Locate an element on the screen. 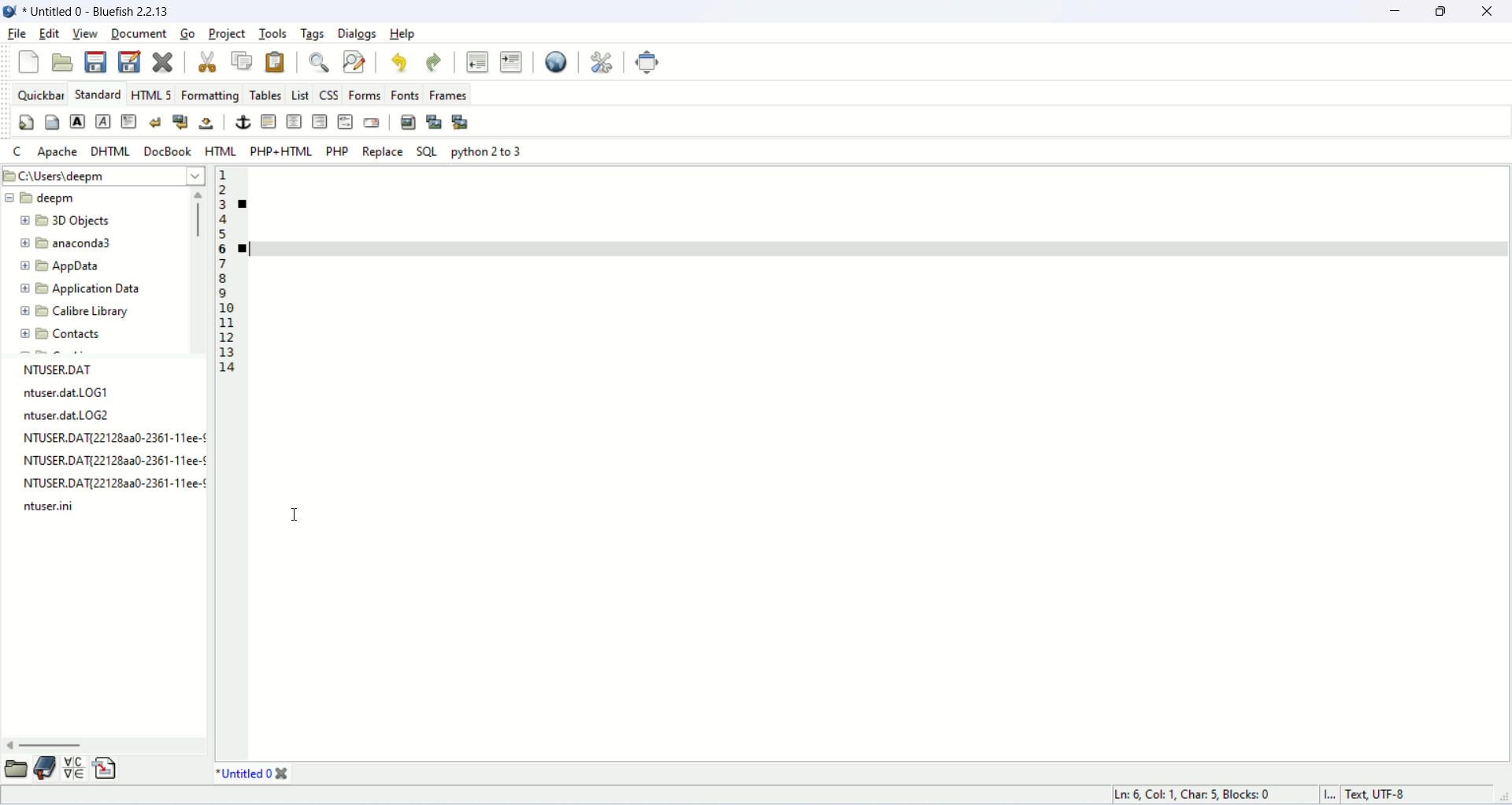  center is located at coordinates (295, 121).